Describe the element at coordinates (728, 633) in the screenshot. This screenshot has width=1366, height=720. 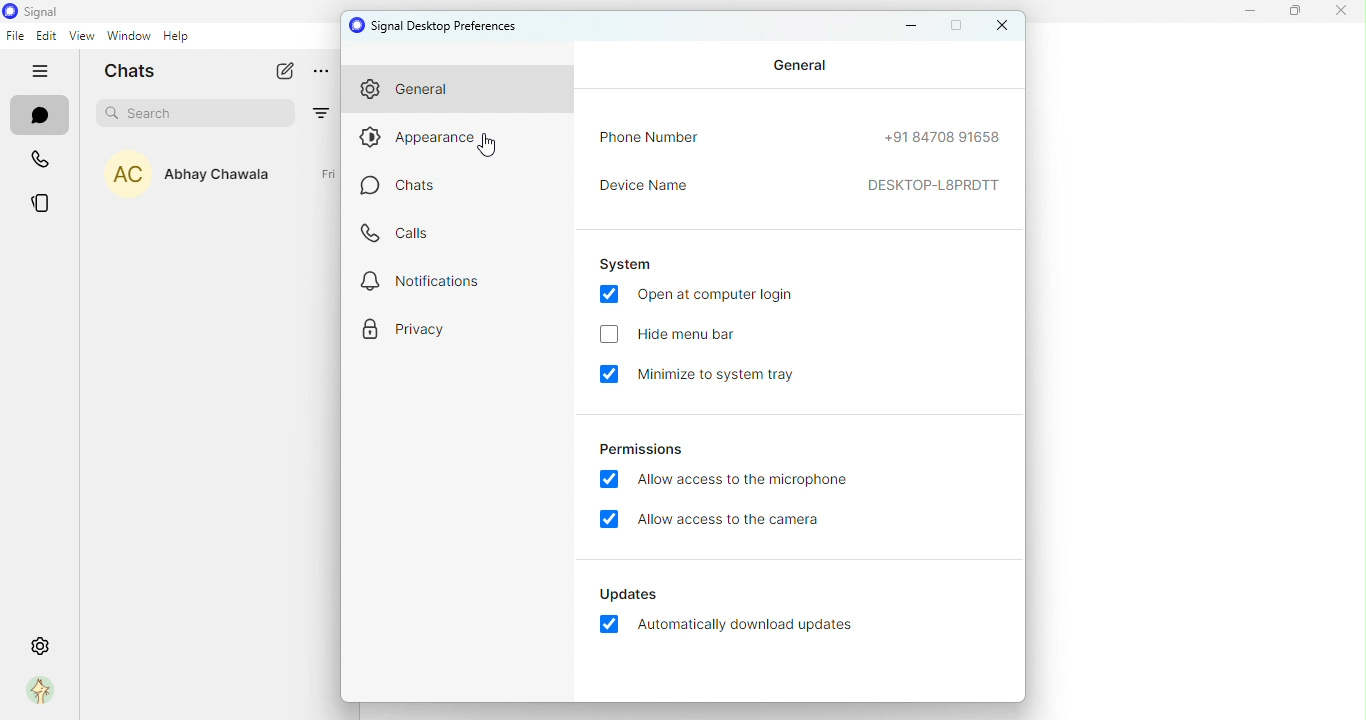
I see `automatically download update` at that location.